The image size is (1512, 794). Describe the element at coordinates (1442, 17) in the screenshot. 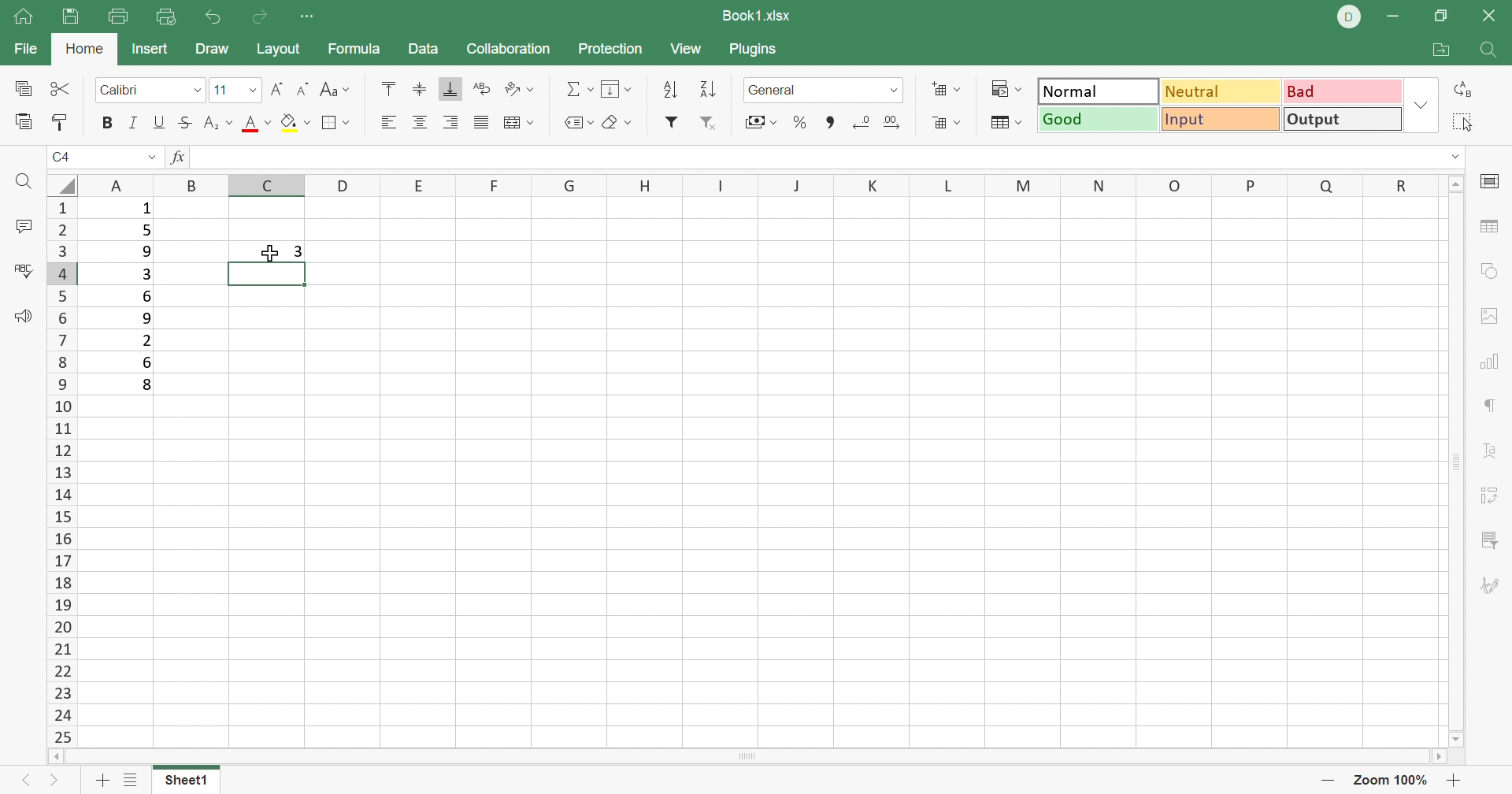

I see `Restore down` at that location.